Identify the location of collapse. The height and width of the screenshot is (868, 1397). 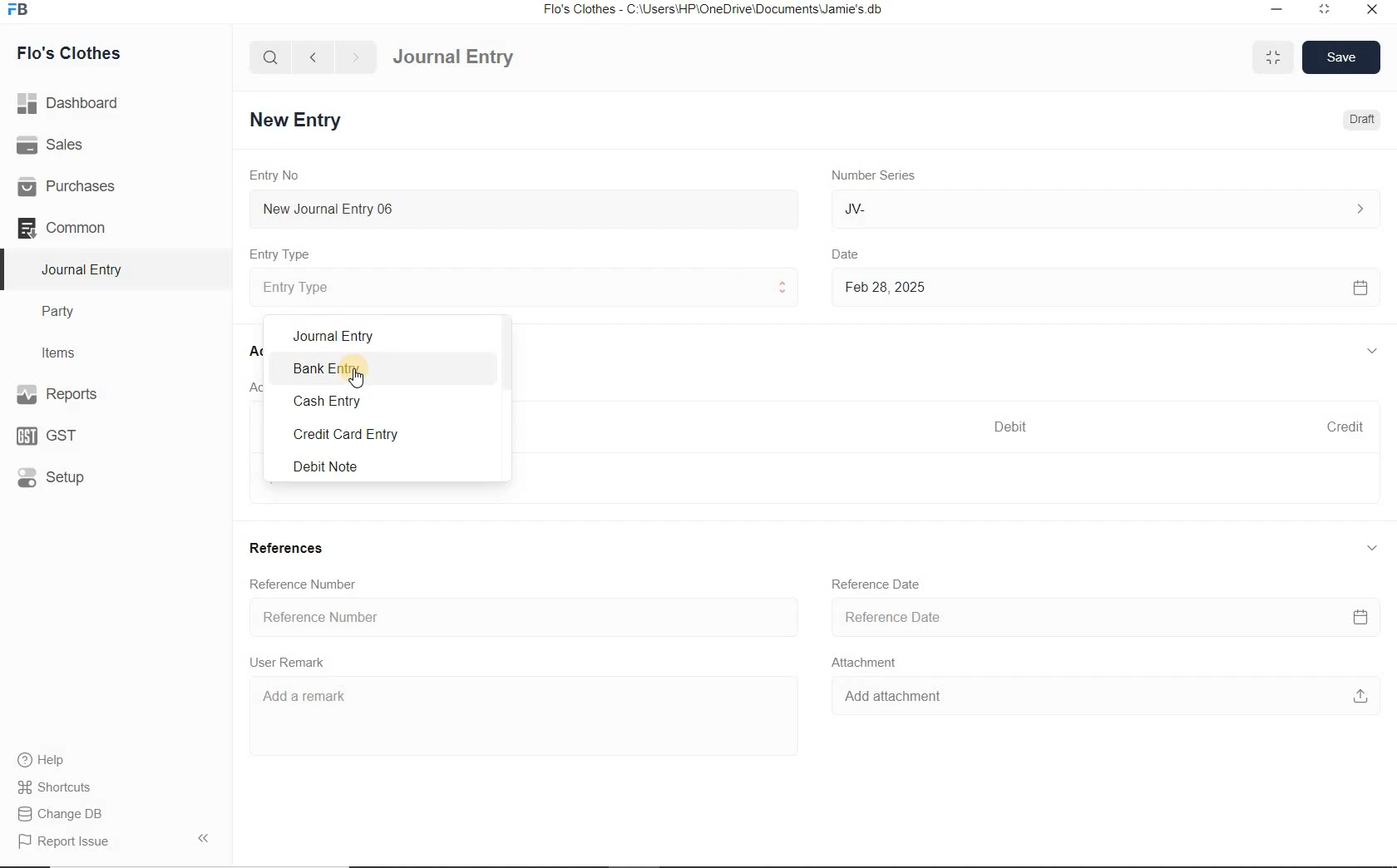
(1372, 352).